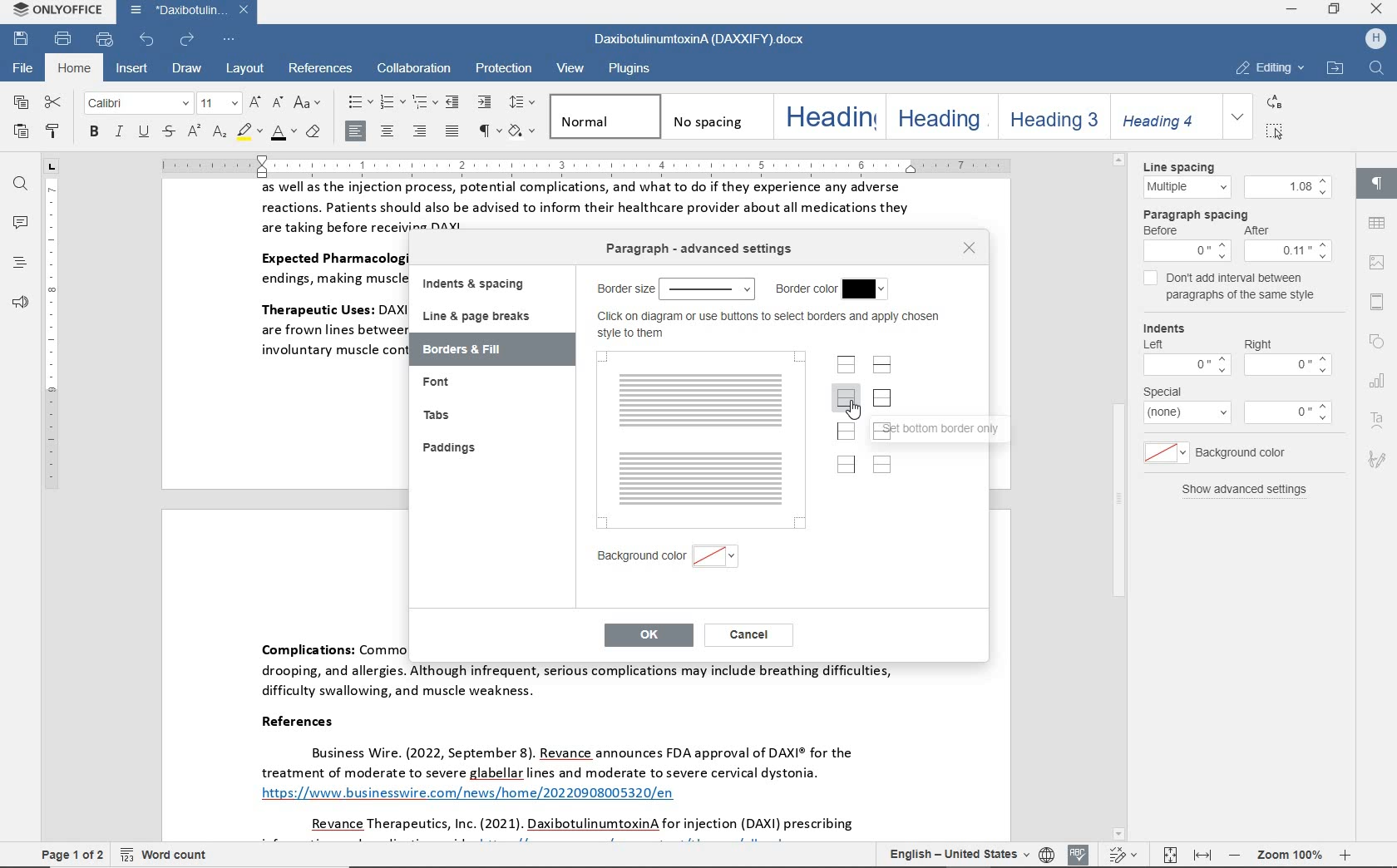 The height and width of the screenshot is (868, 1397). What do you see at coordinates (701, 440) in the screenshot?
I see `border preview` at bounding box center [701, 440].